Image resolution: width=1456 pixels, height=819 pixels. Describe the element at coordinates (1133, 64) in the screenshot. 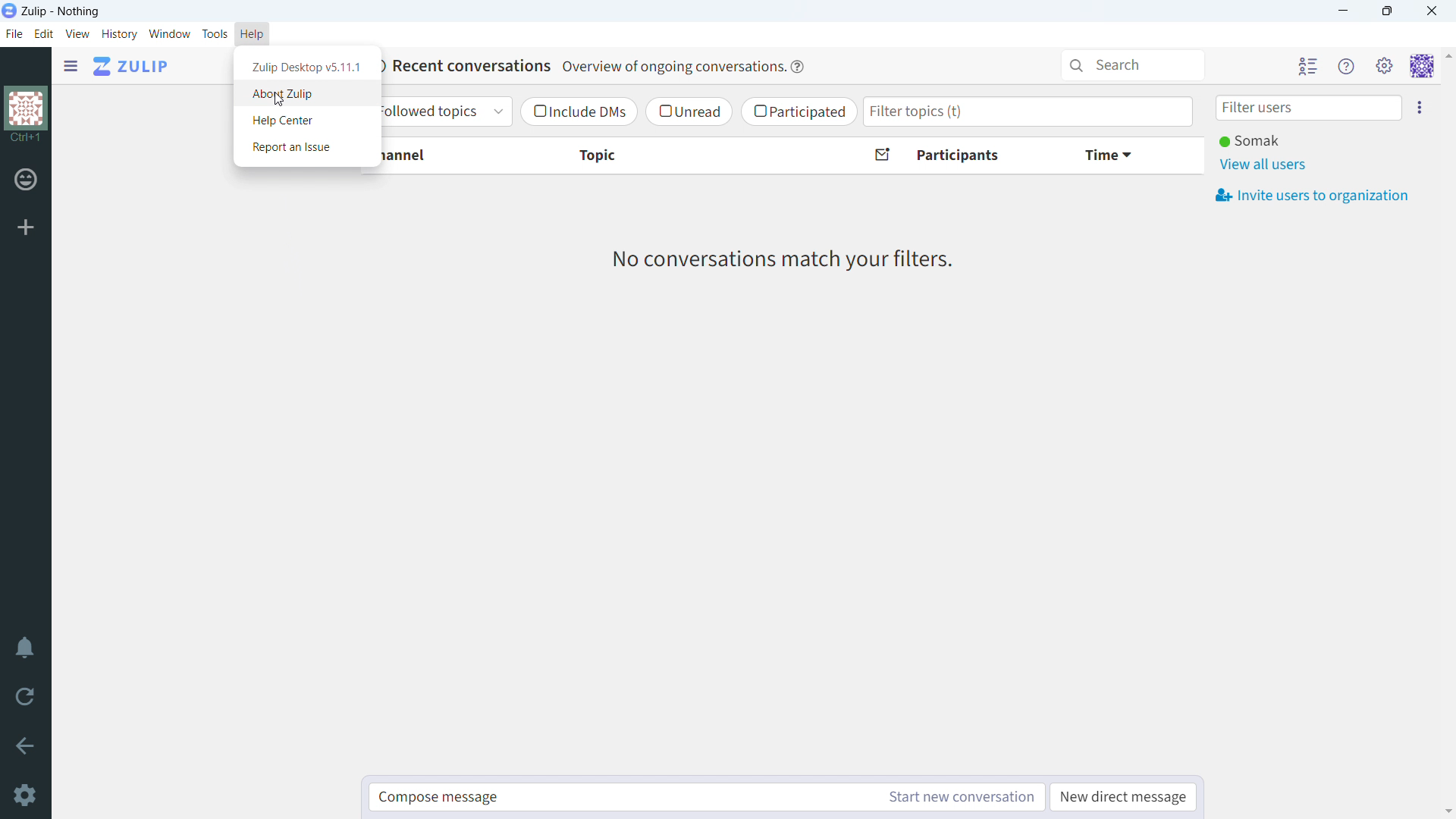

I see `search` at that location.